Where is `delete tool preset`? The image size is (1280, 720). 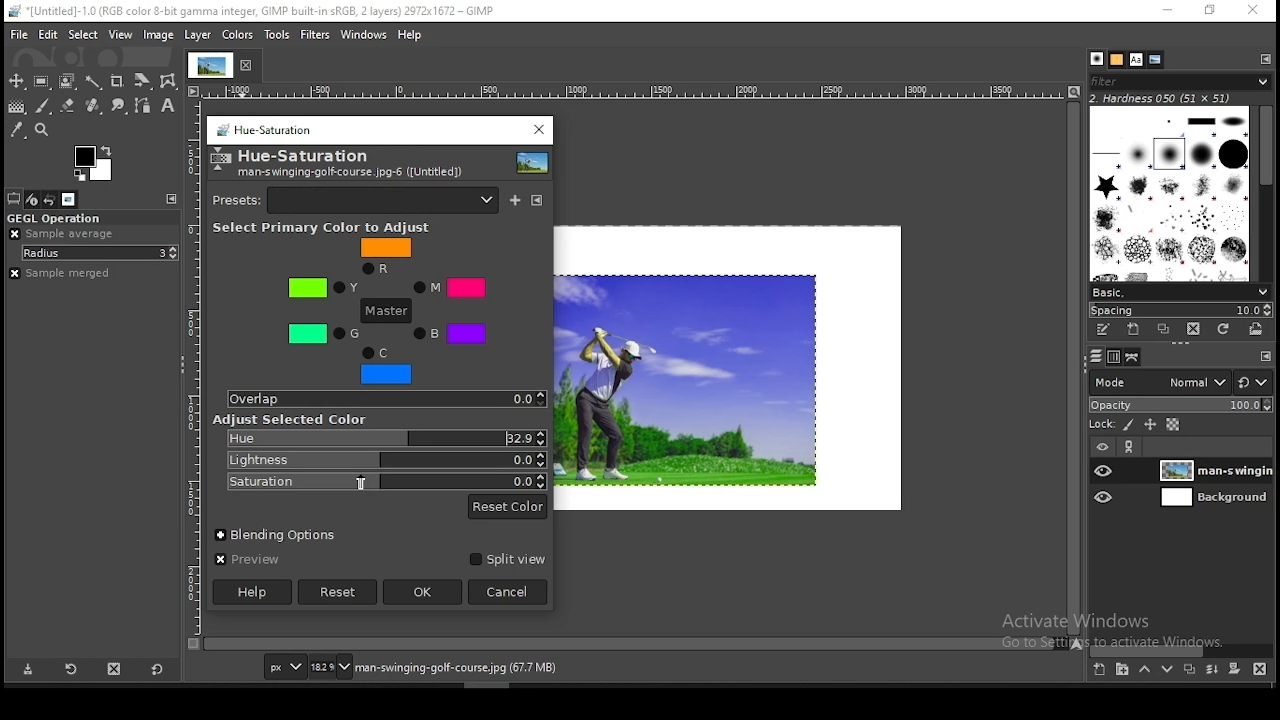 delete tool preset is located at coordinates (113, 670).